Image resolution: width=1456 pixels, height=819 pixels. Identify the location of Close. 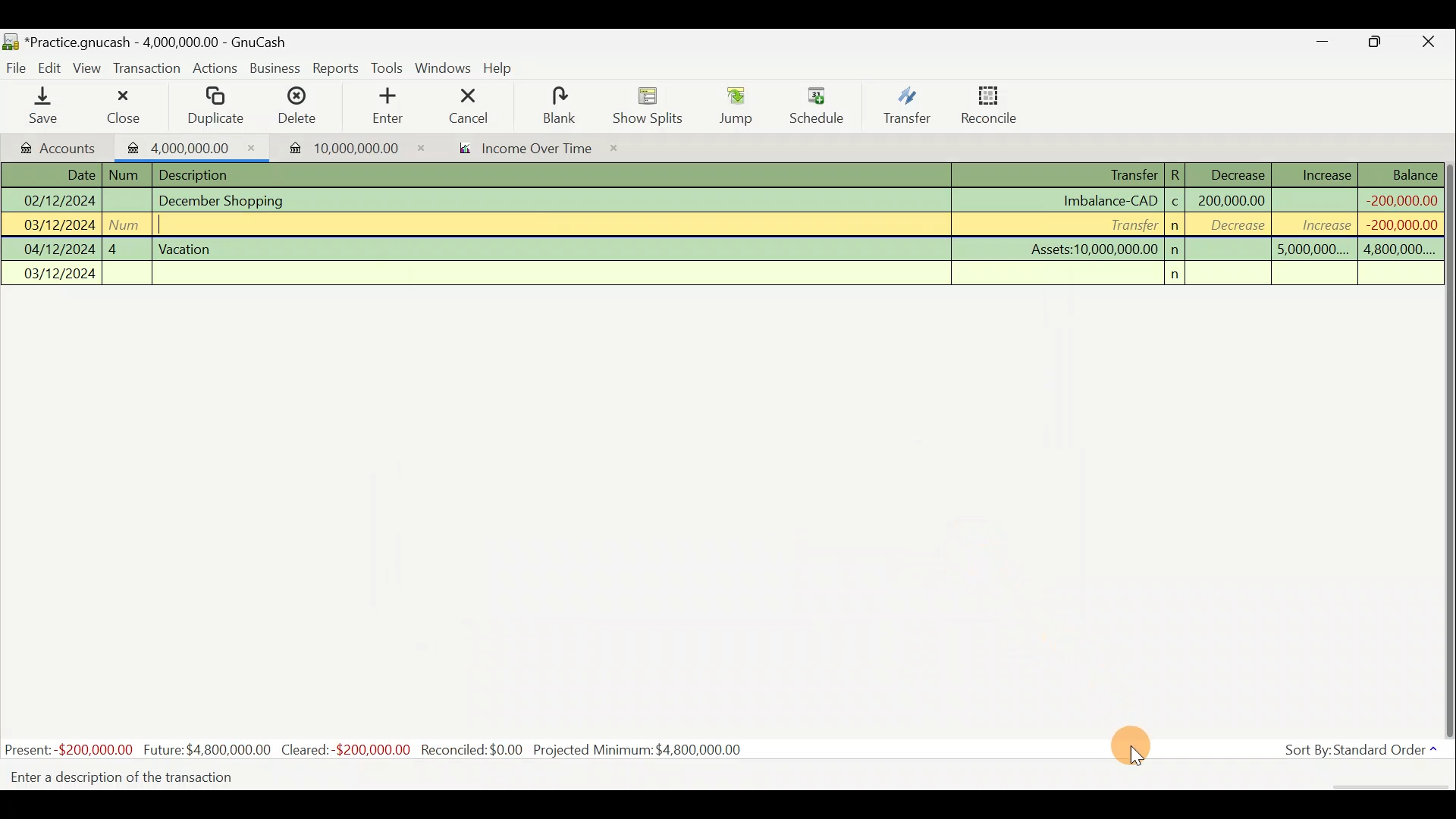
(1433, 42).